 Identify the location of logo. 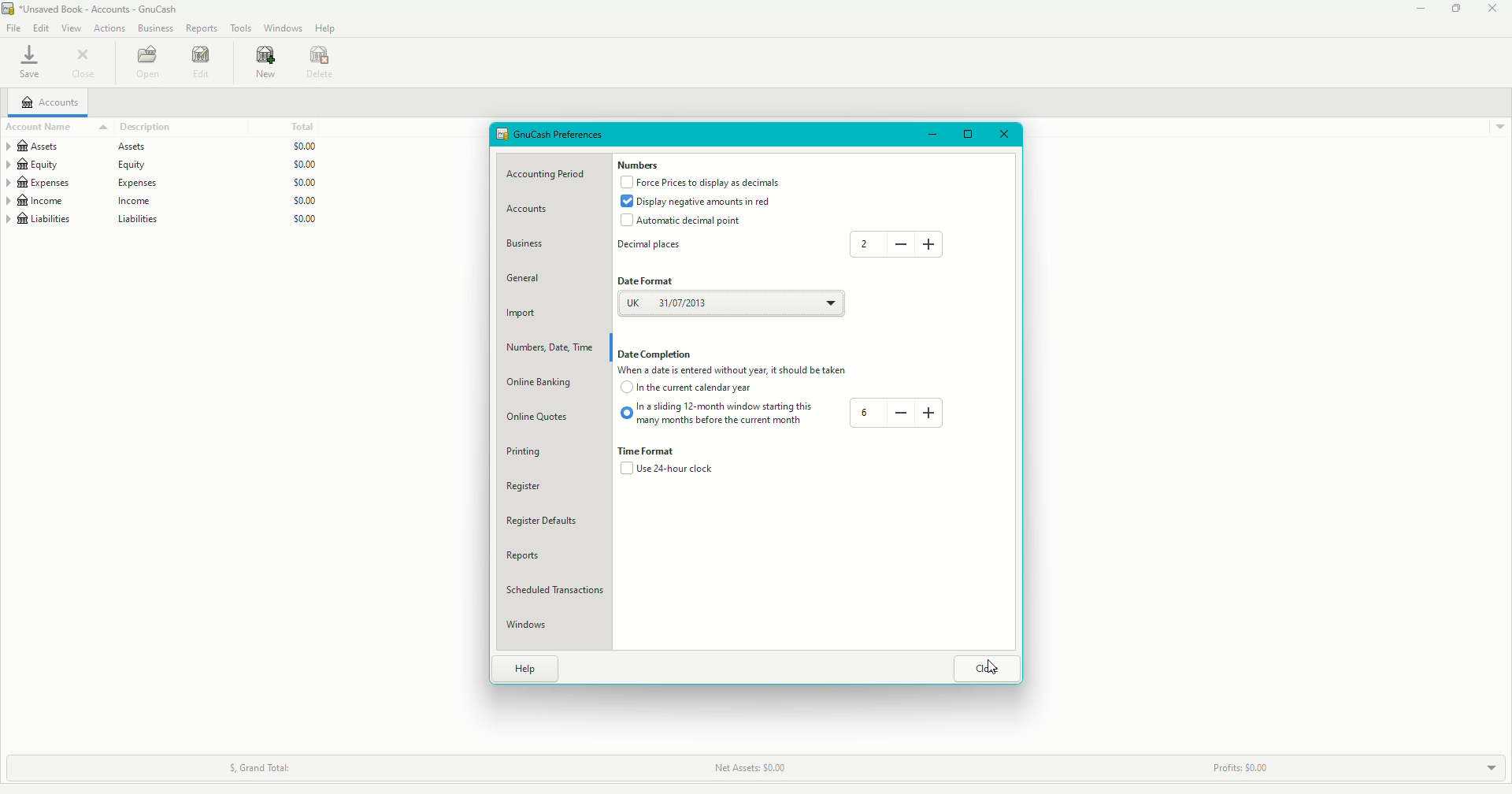
(9, 9).